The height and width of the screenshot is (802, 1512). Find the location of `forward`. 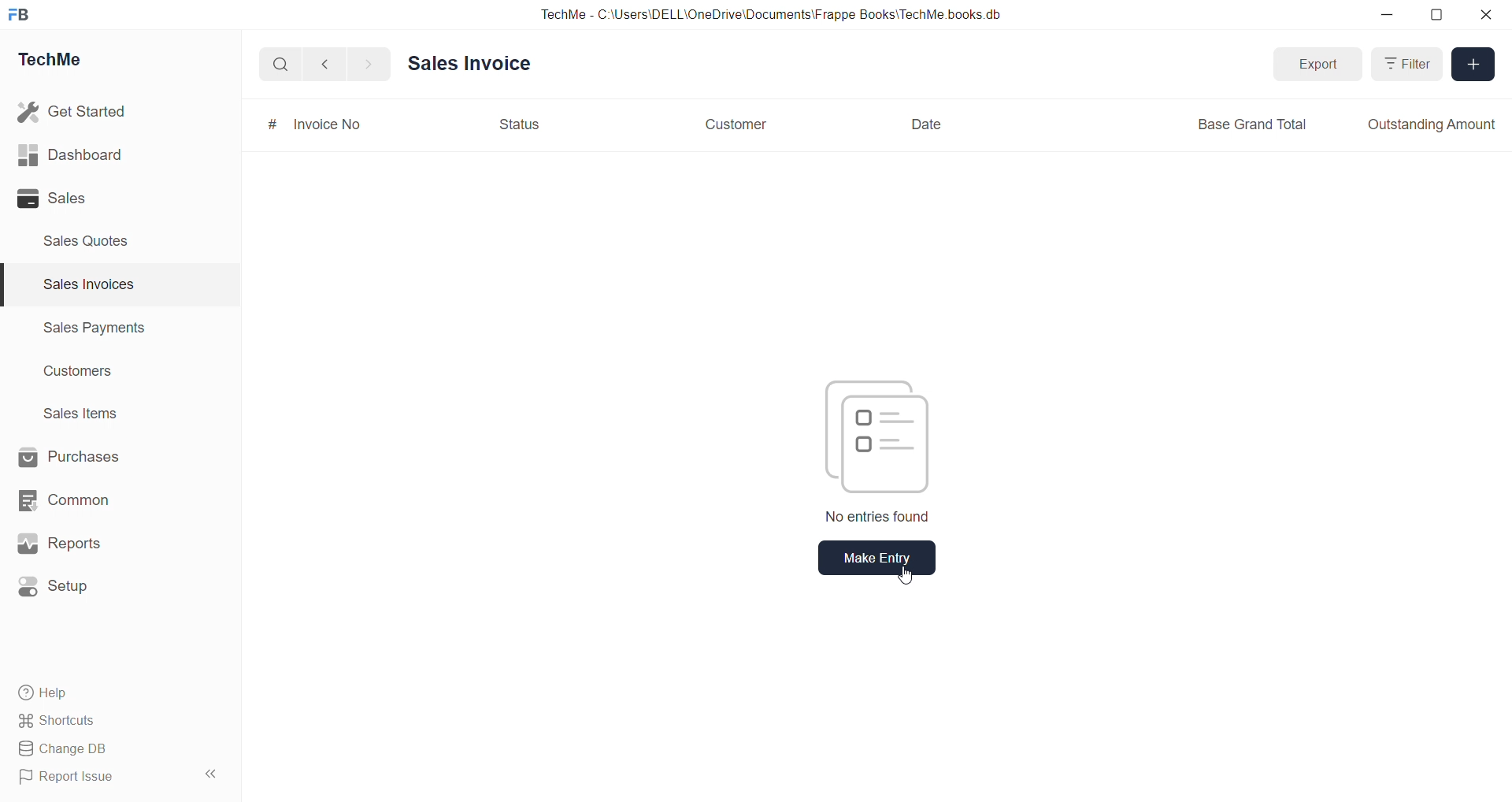

forward is located at coordinates (366, 65).